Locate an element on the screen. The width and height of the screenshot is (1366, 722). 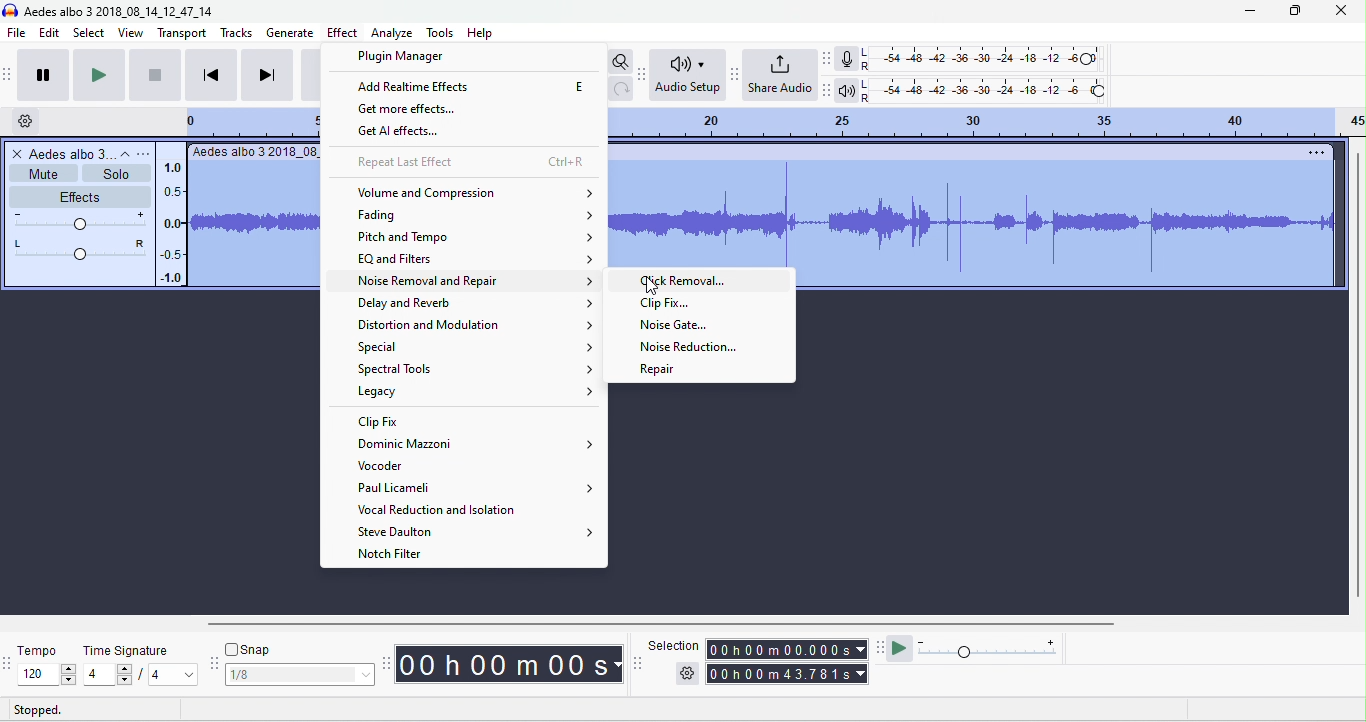
plugin manager is located at coordinates (405, 55).